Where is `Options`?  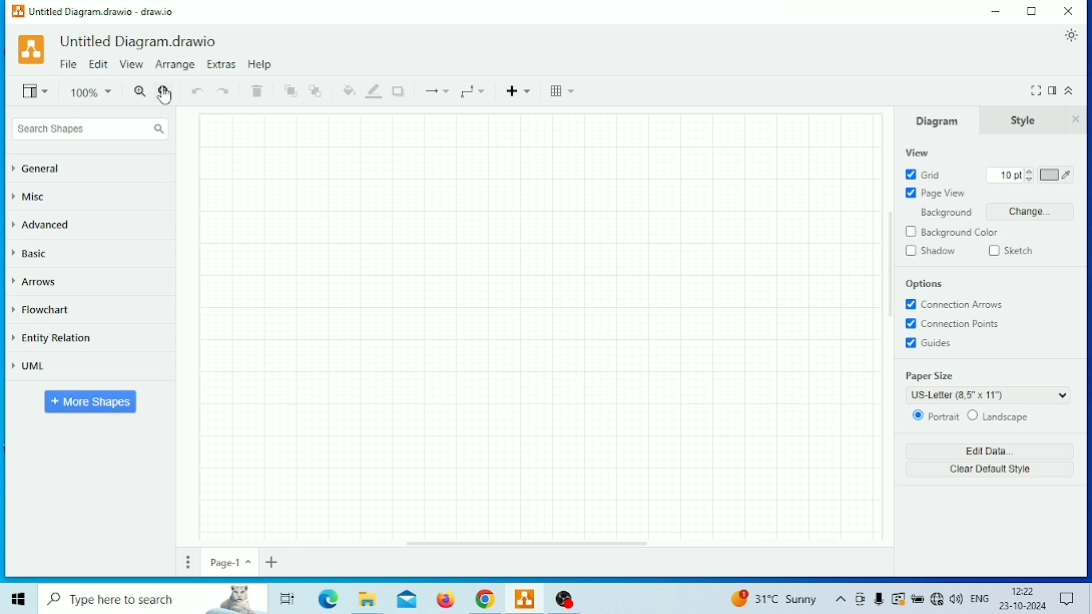
Options is located at coordinates (924, 285).